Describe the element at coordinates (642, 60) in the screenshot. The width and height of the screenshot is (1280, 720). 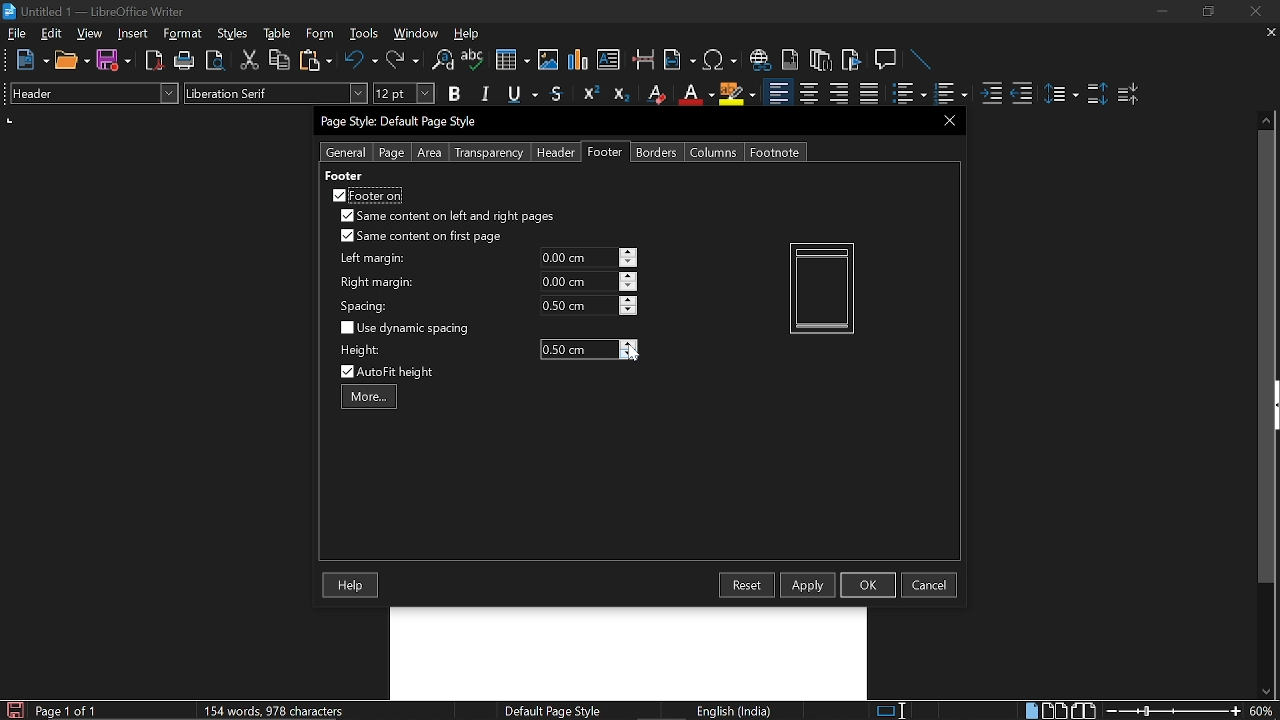
I see `Insert page break` at that location.